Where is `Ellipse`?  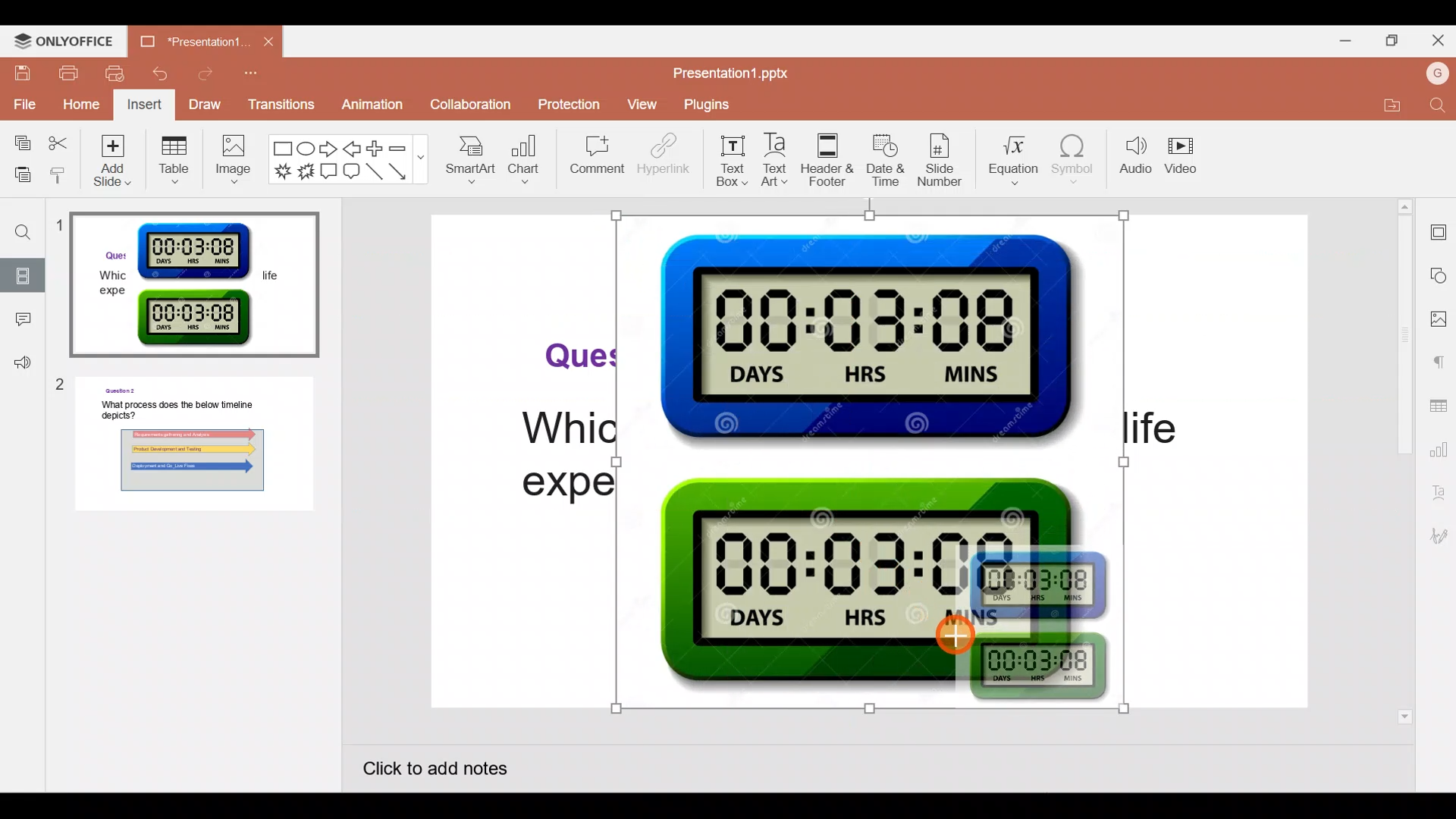 Ellipse is located at coordinates (306, 148).